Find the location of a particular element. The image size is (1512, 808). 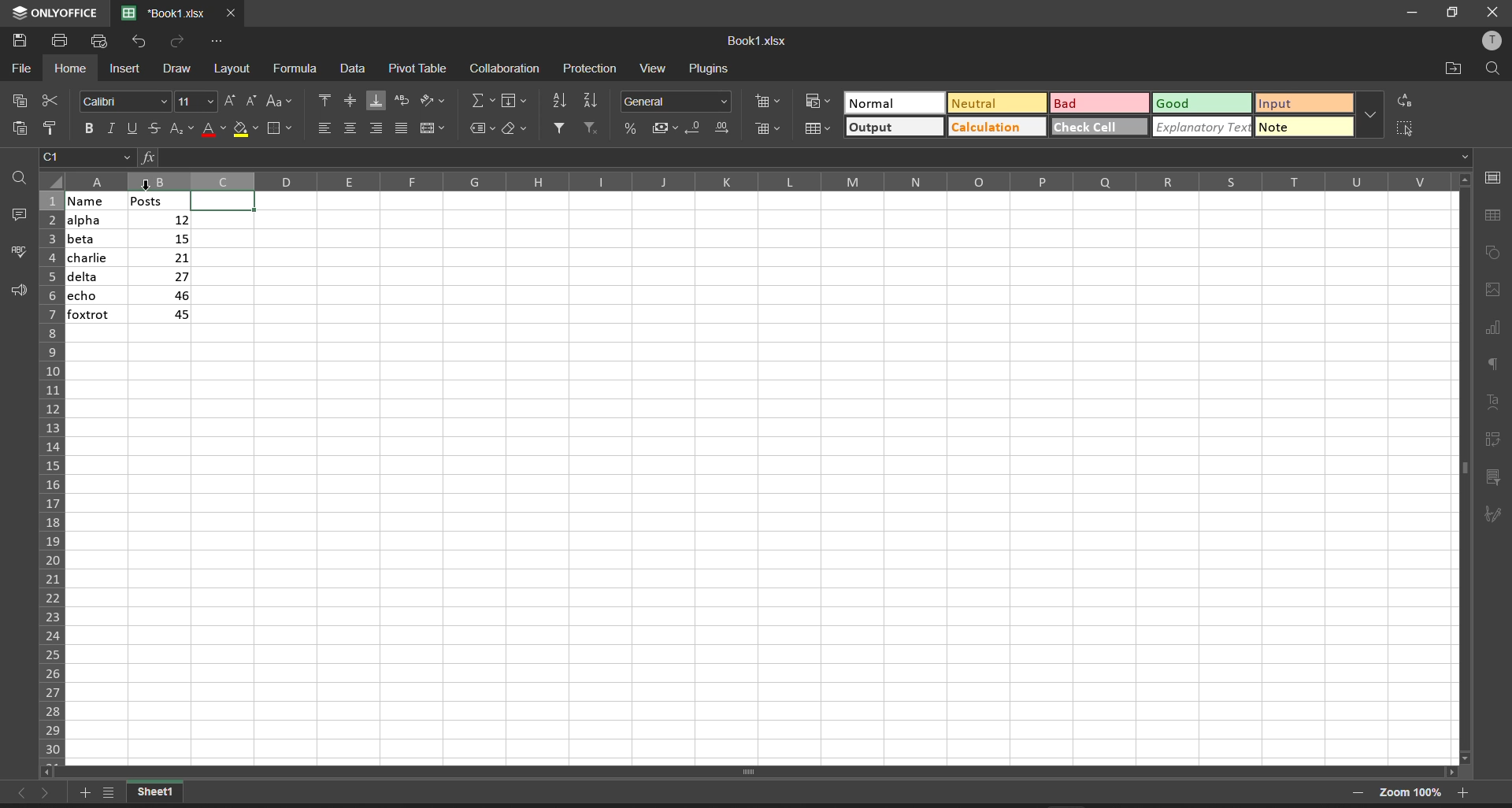

strikethrough is located at coordinates (154, 126).